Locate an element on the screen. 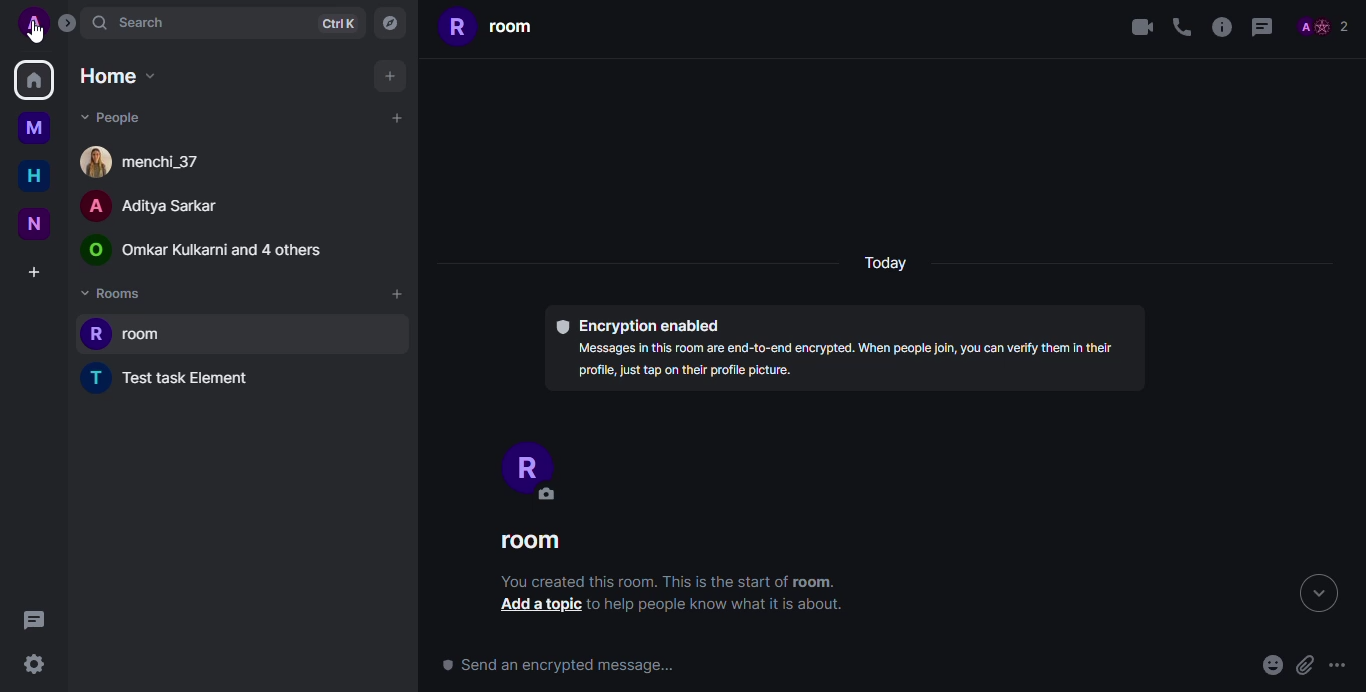 This screenshot has height=692, width=1366. attach is located at coordinates (1306, 665).